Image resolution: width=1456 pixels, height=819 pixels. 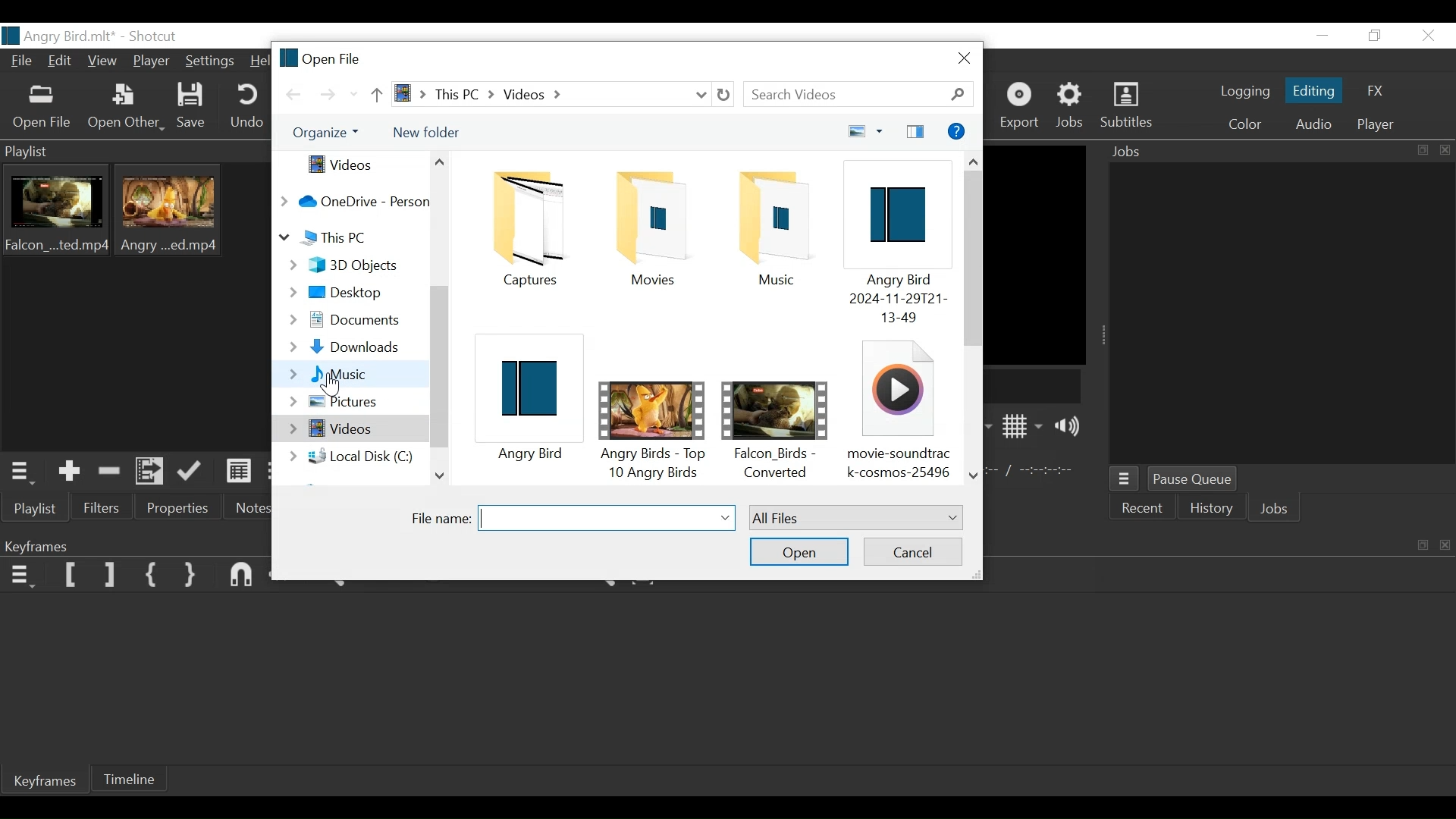 I want to click on Settings, so click(x=212, y=62).